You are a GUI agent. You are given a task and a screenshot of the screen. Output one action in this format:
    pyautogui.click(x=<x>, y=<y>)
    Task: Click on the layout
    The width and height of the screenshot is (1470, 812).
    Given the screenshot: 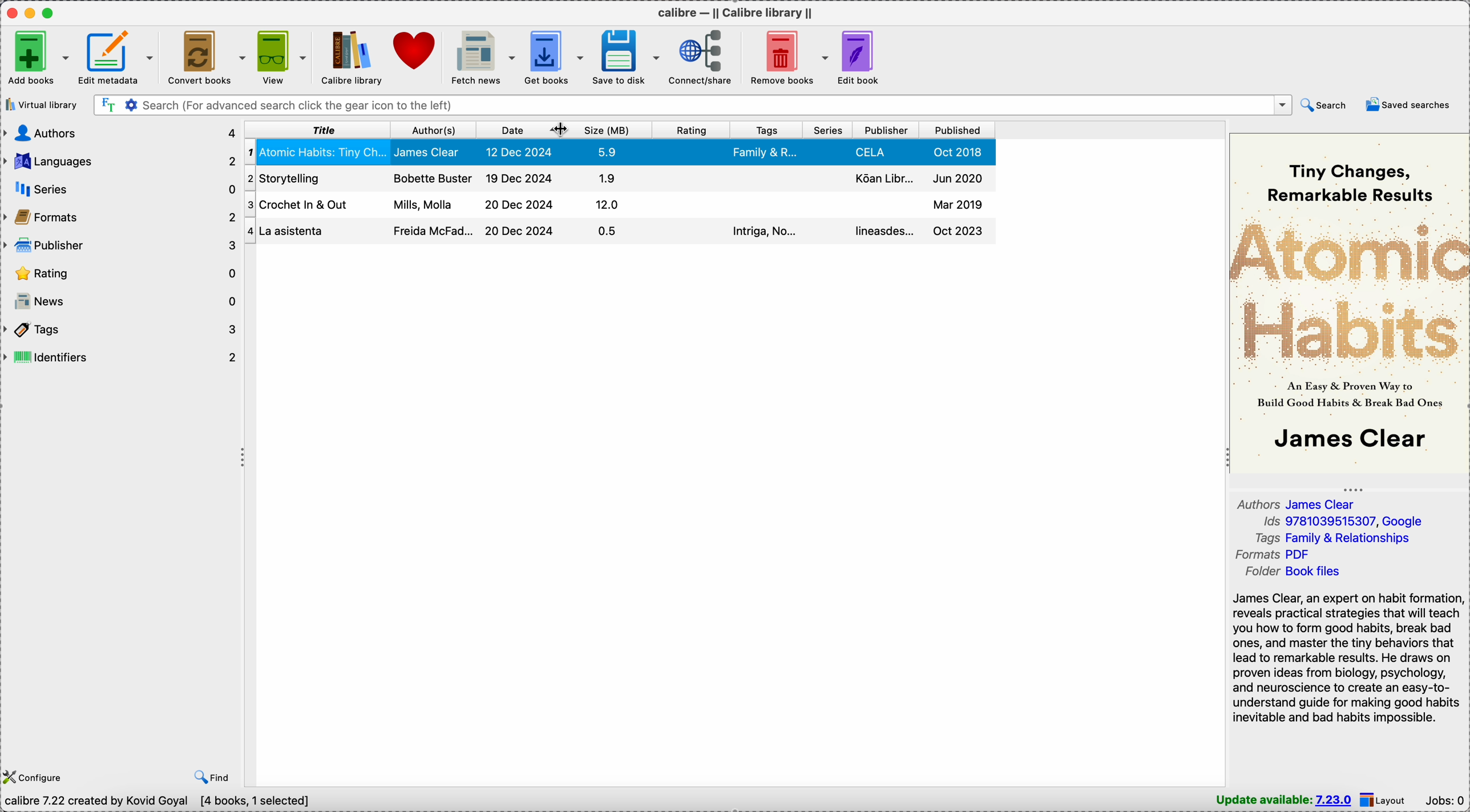 What is the action you would take?
    pyautogui.click(x=1386, y=801)
    